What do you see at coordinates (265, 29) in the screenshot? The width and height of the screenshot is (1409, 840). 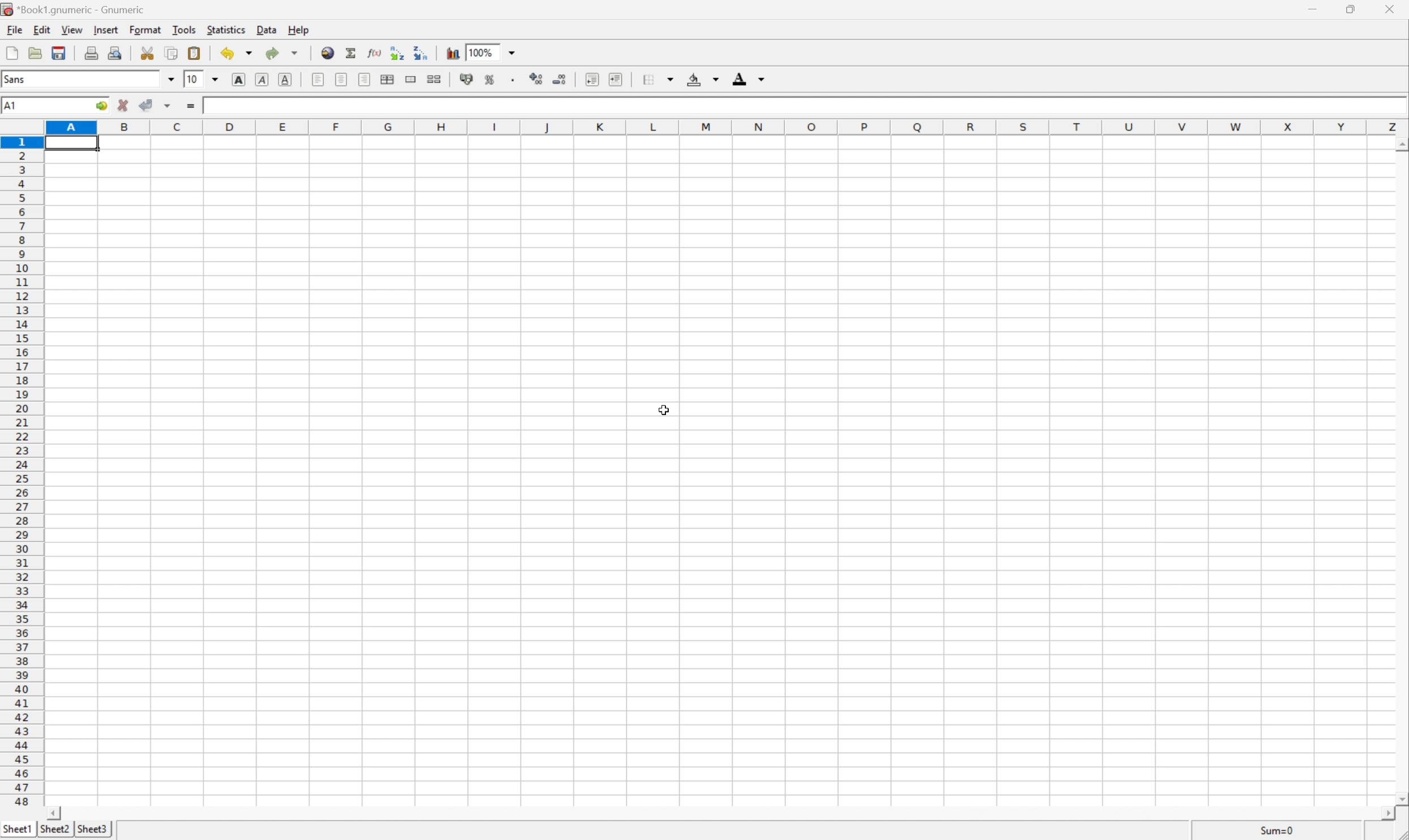 I see `Data` at bounding box center [265, 29].